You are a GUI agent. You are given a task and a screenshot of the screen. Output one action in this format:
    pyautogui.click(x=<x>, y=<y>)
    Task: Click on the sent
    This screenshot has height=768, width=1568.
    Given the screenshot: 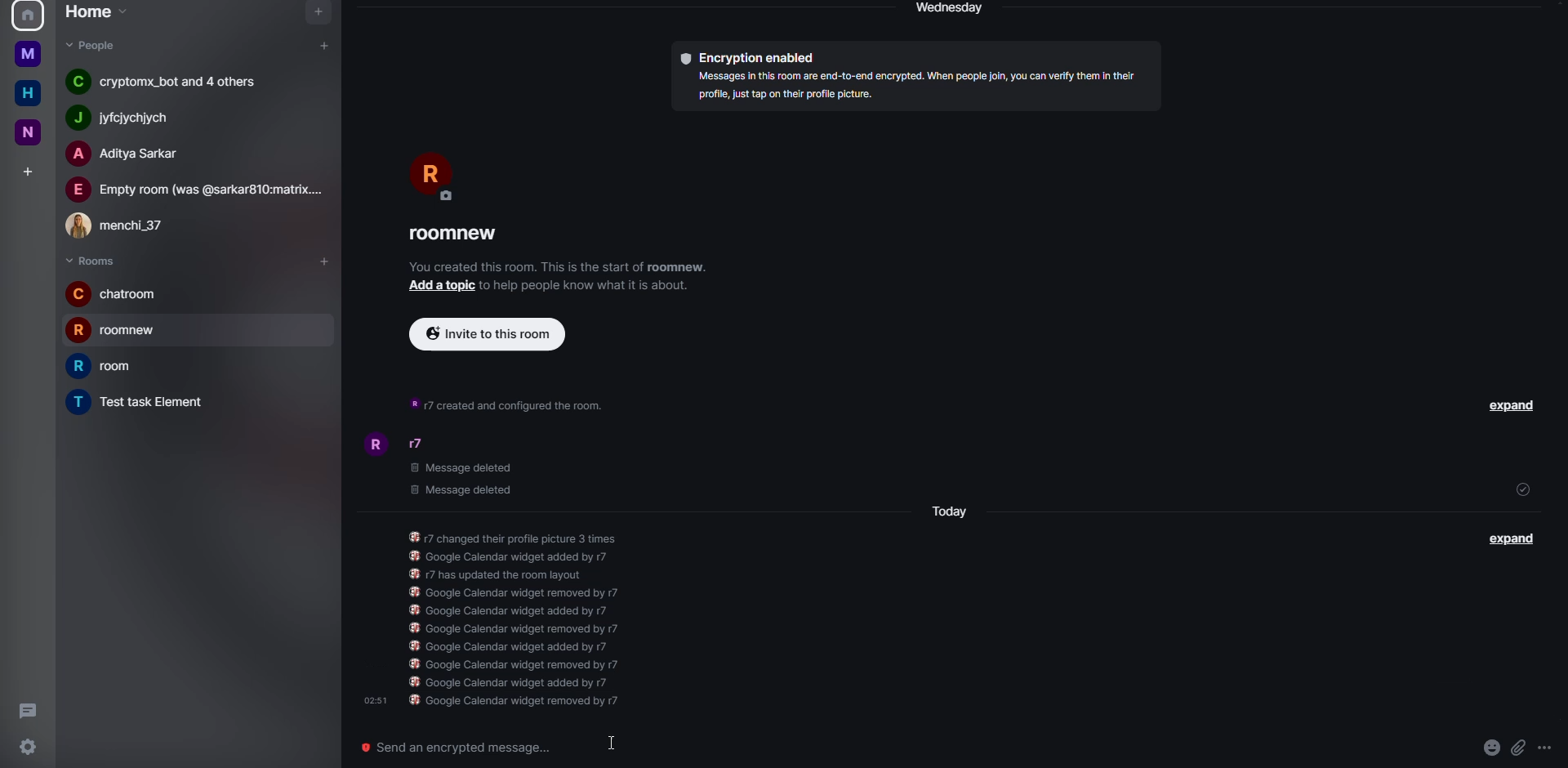 What is the action you would take?
    pyautogui.click(x=1522, y=490)
    